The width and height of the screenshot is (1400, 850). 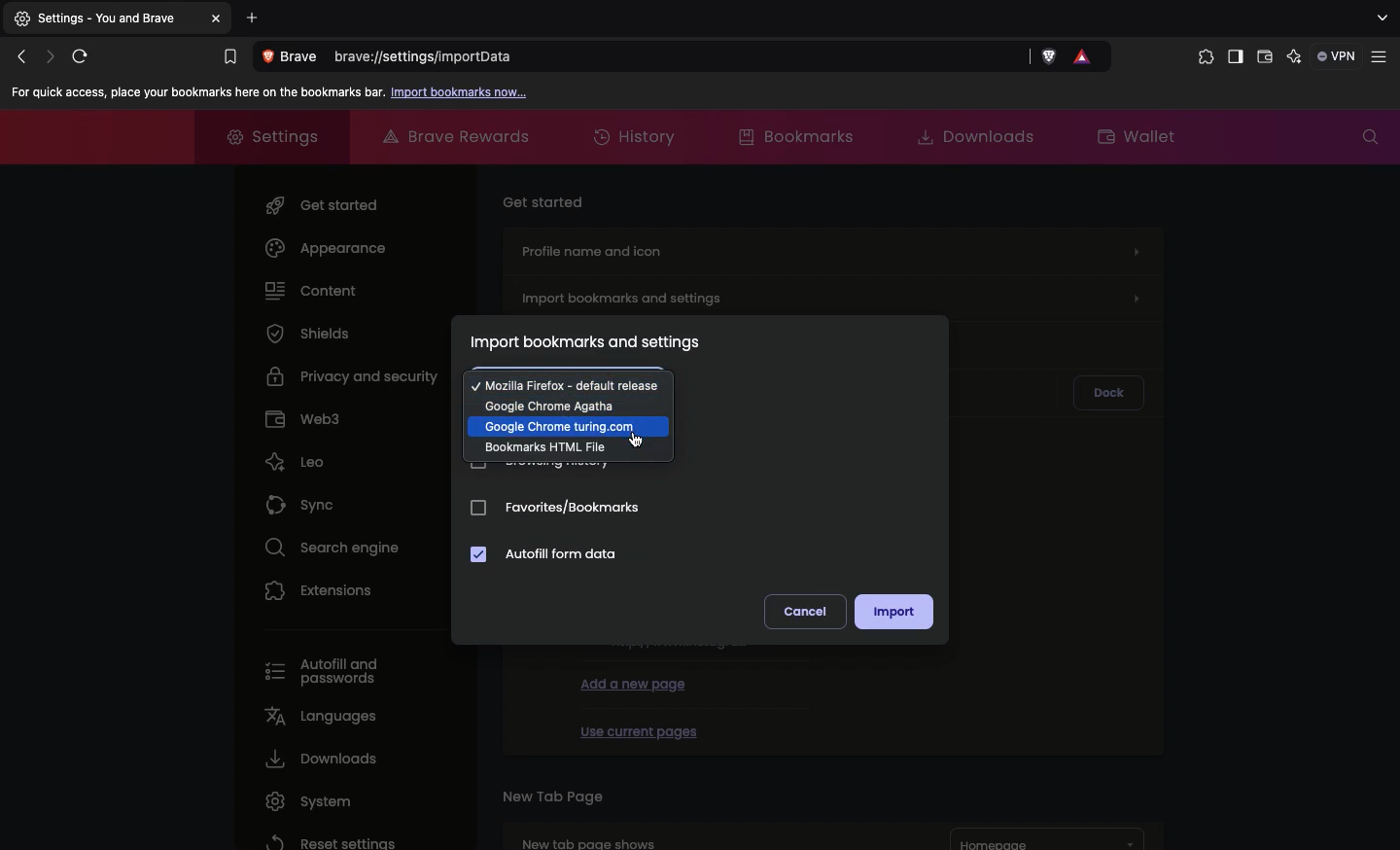 What do you see at coordinates (1202, 57) in the screenshot?
I see `Extensions` at bounding box center [1202, 57].